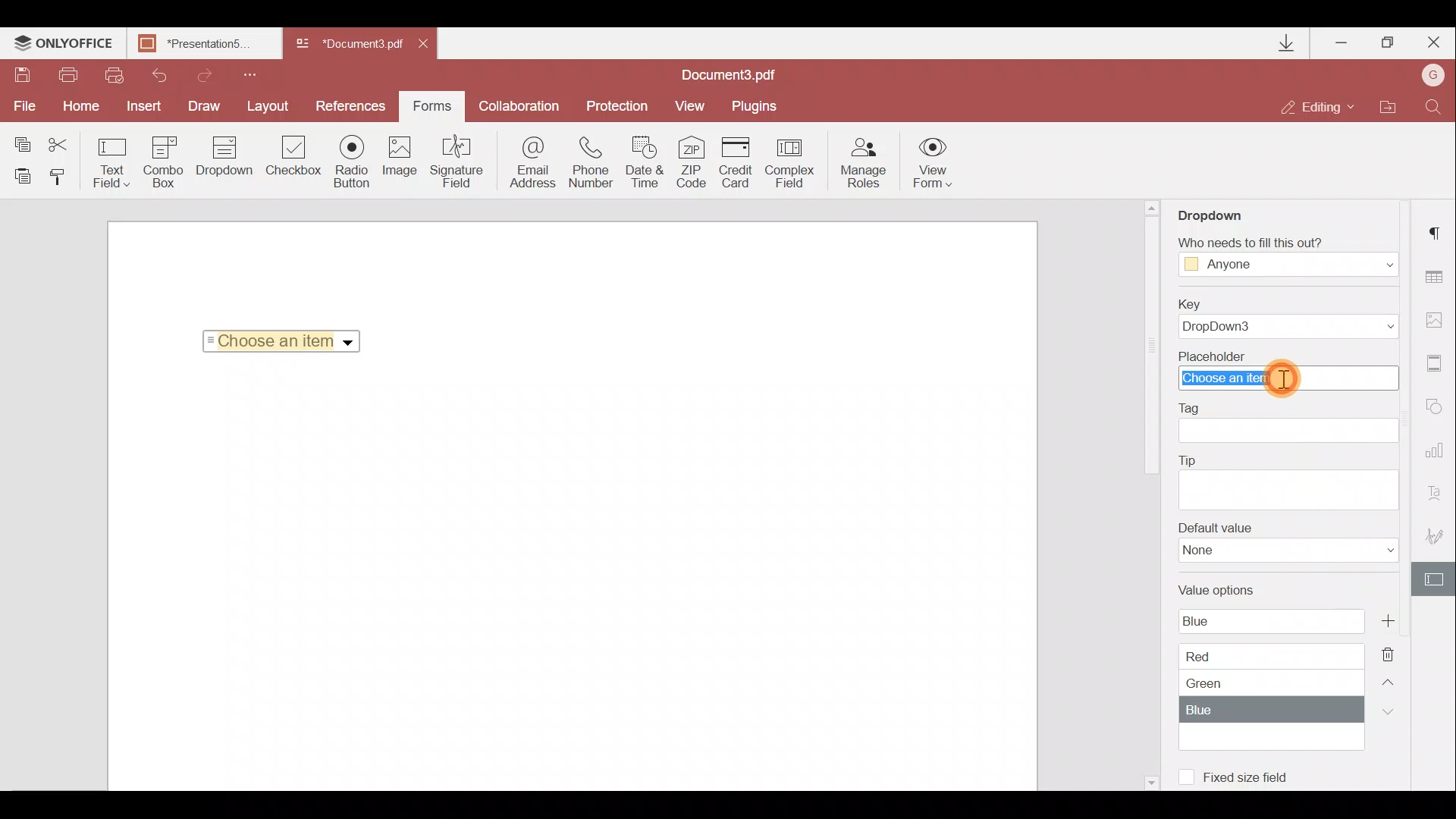 The image size is (1456, 819). What do you see at coordinates (115, 75) in the screenshot?
I see `Quick print` at bounding box center [115, 75].